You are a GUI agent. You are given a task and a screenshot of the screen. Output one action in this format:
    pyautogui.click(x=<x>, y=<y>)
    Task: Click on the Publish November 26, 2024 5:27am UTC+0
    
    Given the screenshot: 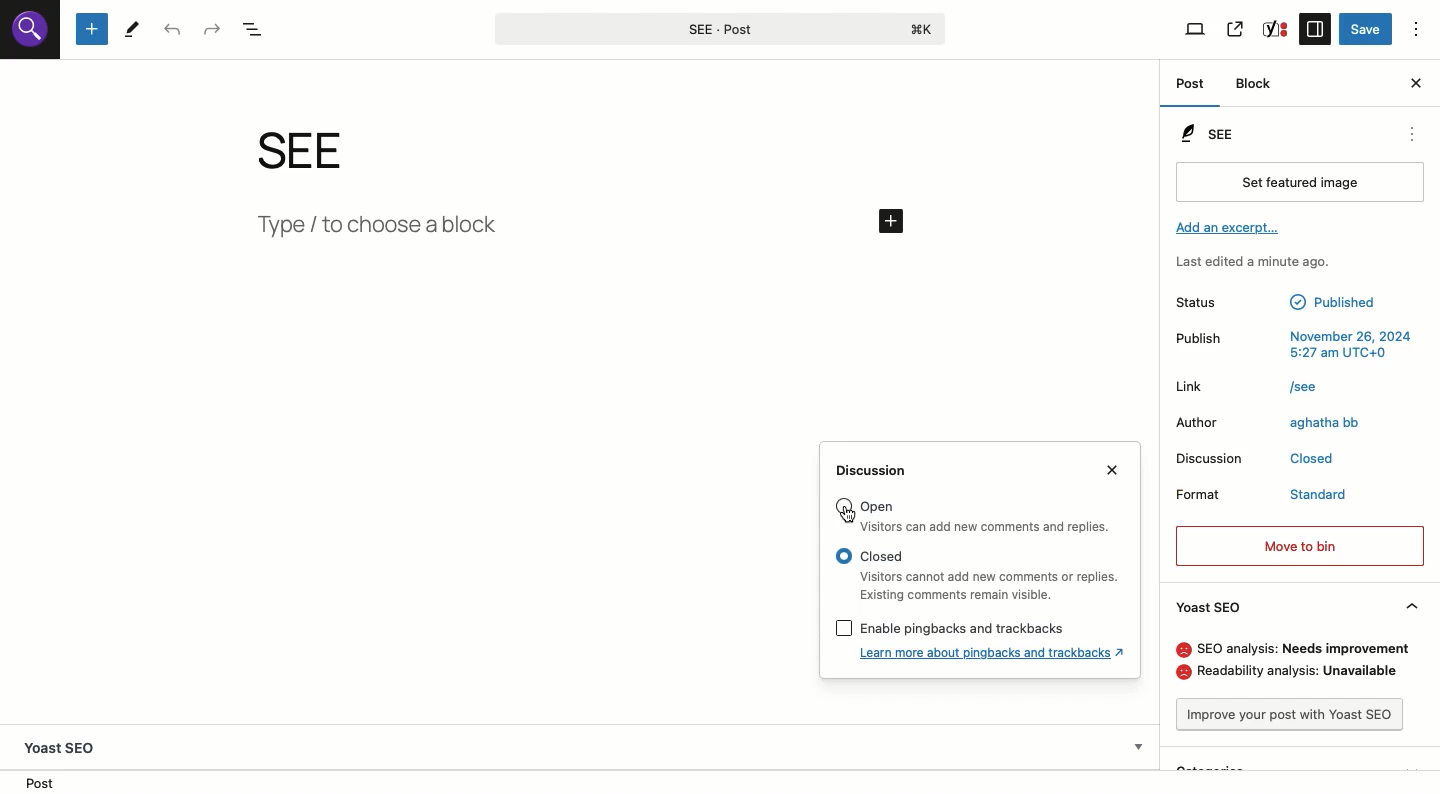 What is the action you would take?
    pyautogui.click(x=1295, y=345)
    